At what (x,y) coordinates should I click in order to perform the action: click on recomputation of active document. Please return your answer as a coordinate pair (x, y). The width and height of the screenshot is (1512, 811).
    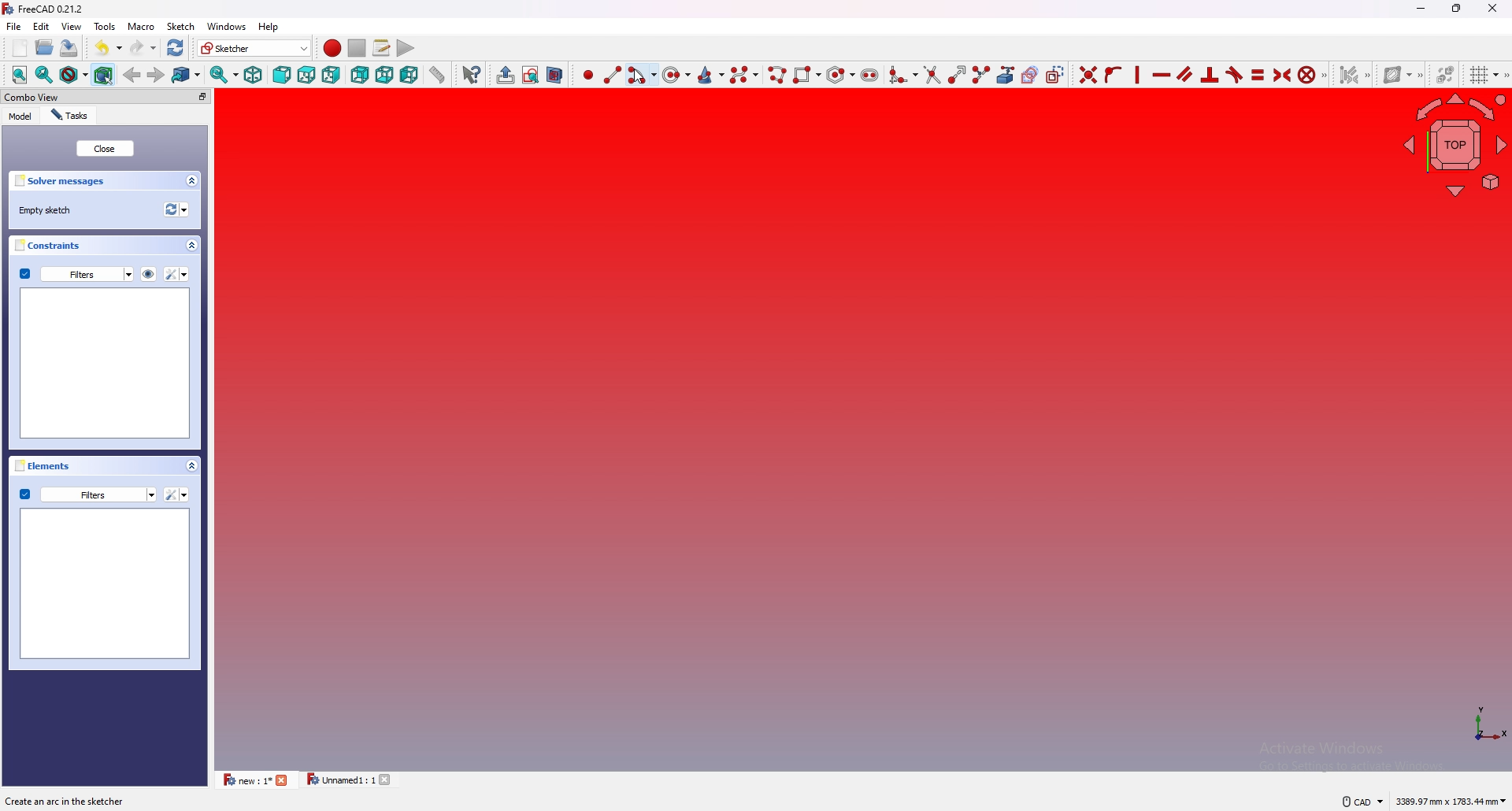
    Looking at the image, I should click on (176, 209).